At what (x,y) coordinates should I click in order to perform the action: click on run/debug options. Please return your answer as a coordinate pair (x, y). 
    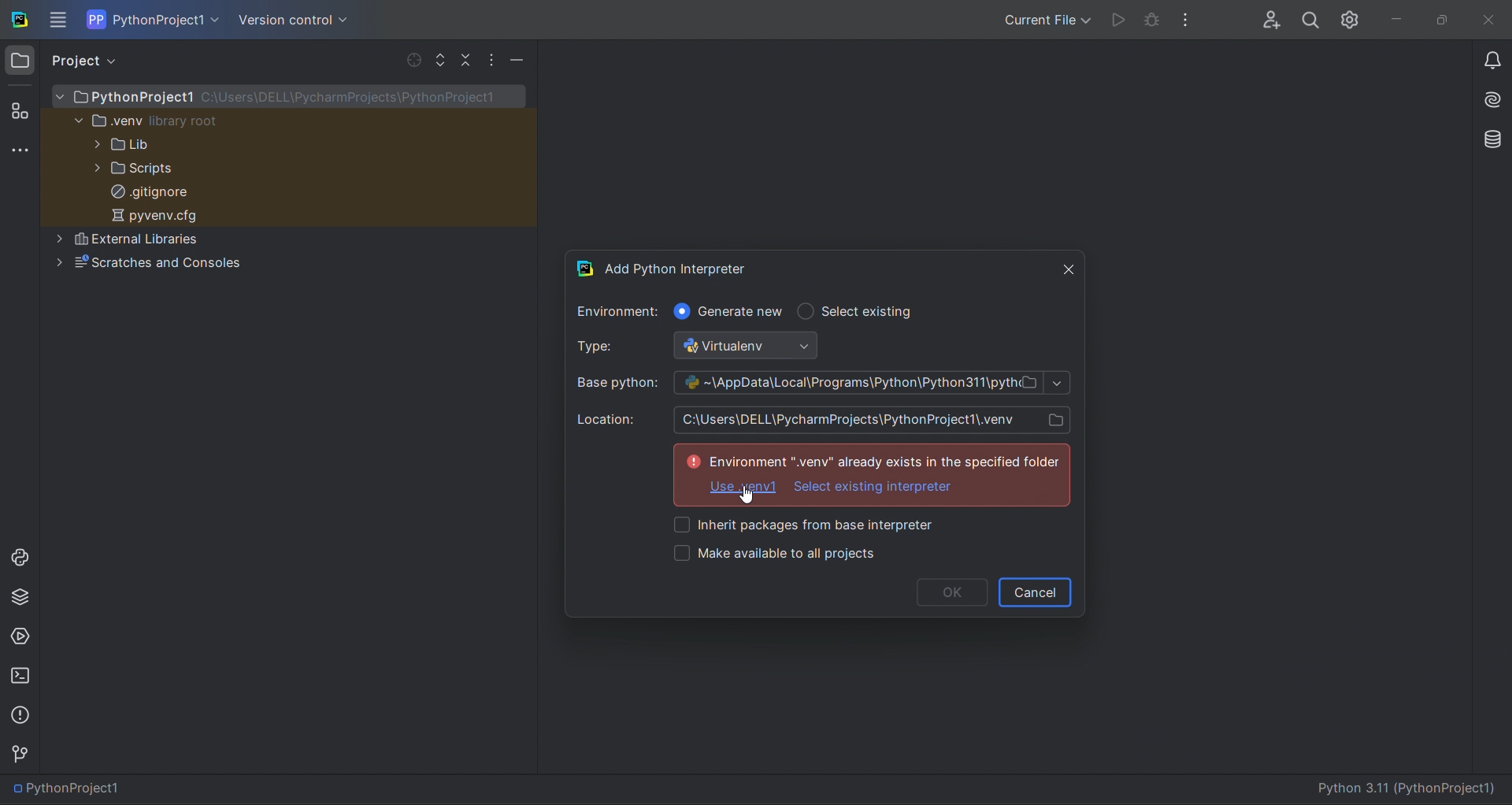
    Looking at the image, I should click on (1044, 18).